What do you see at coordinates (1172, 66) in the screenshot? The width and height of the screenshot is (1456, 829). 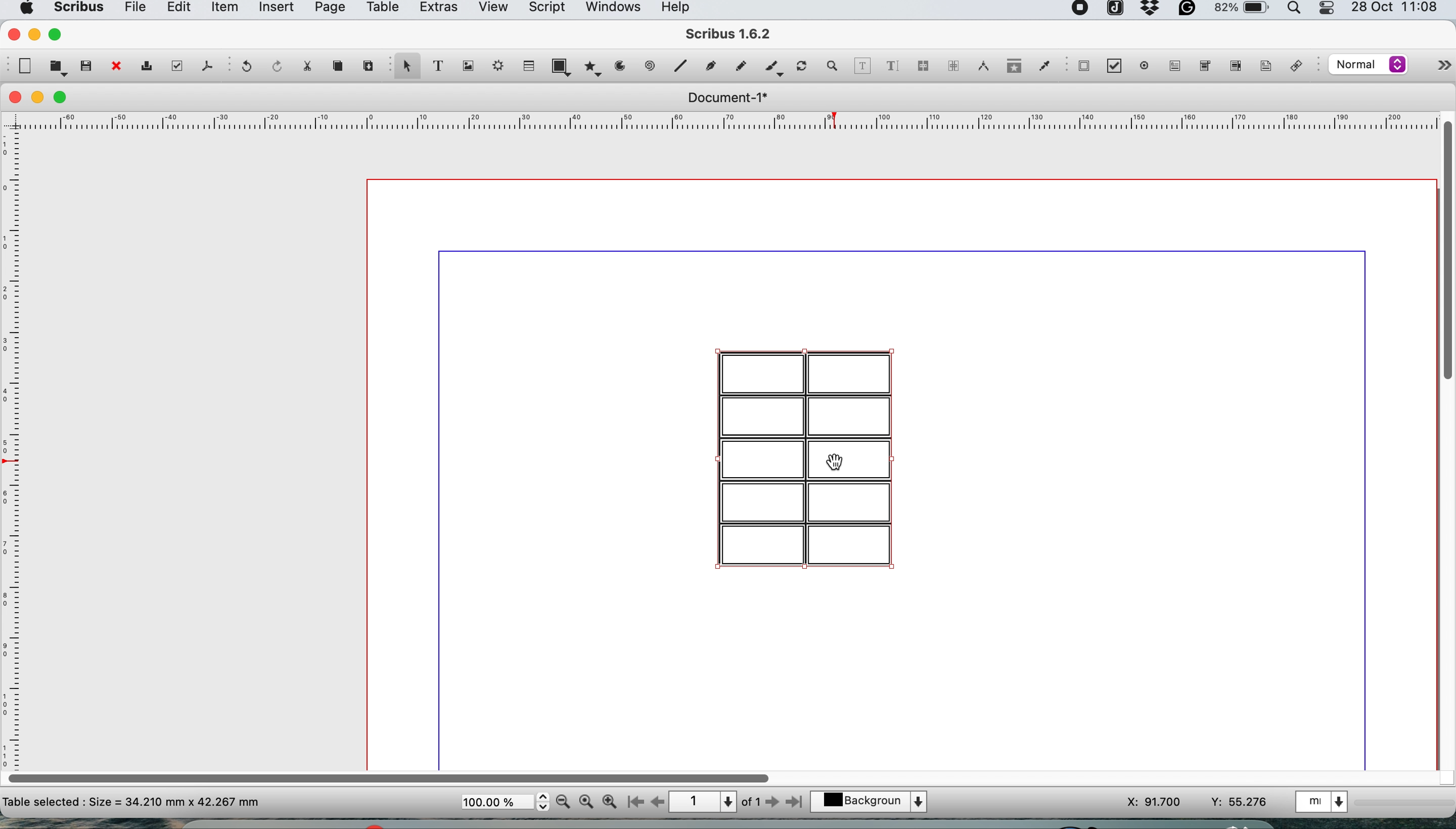 I see `pdf text field` at bounding box center [1172, 66].